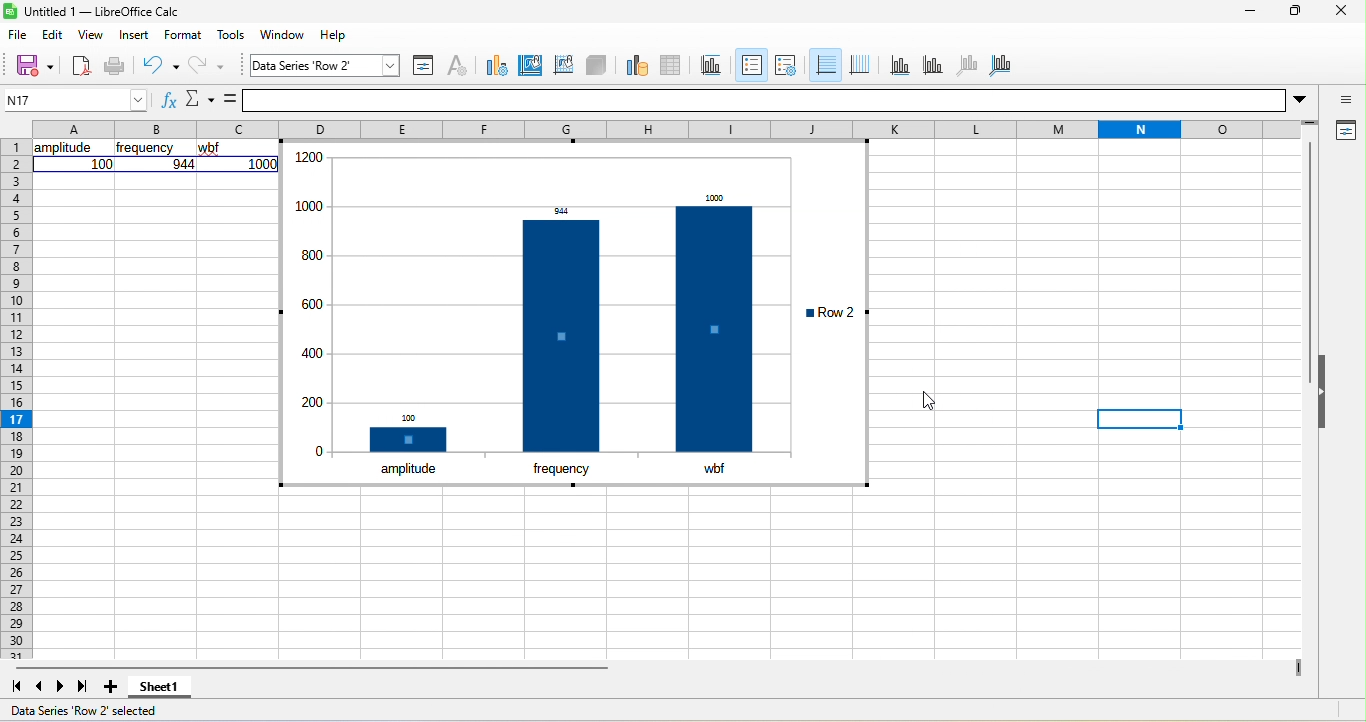 The width and height of the screenshot is (1366, 722). What do you see at coordinates (278, 35) in the screenshot?
I see `window` at bounding box center [278, 35].